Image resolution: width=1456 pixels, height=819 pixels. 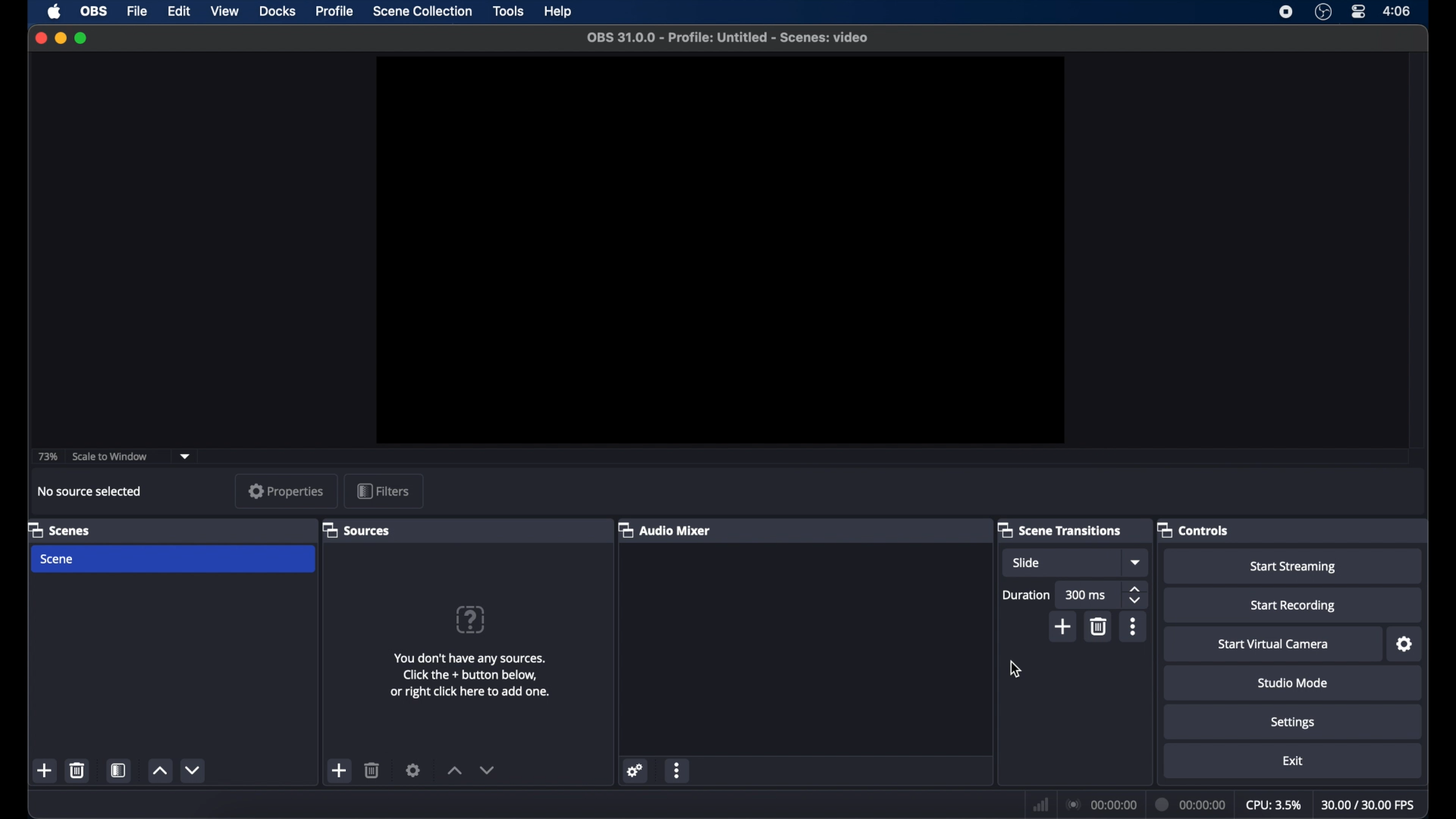 What do you see at coordinates (60, 38) in the screenshot?
I see `minimize` at bounding box center [60, 38].